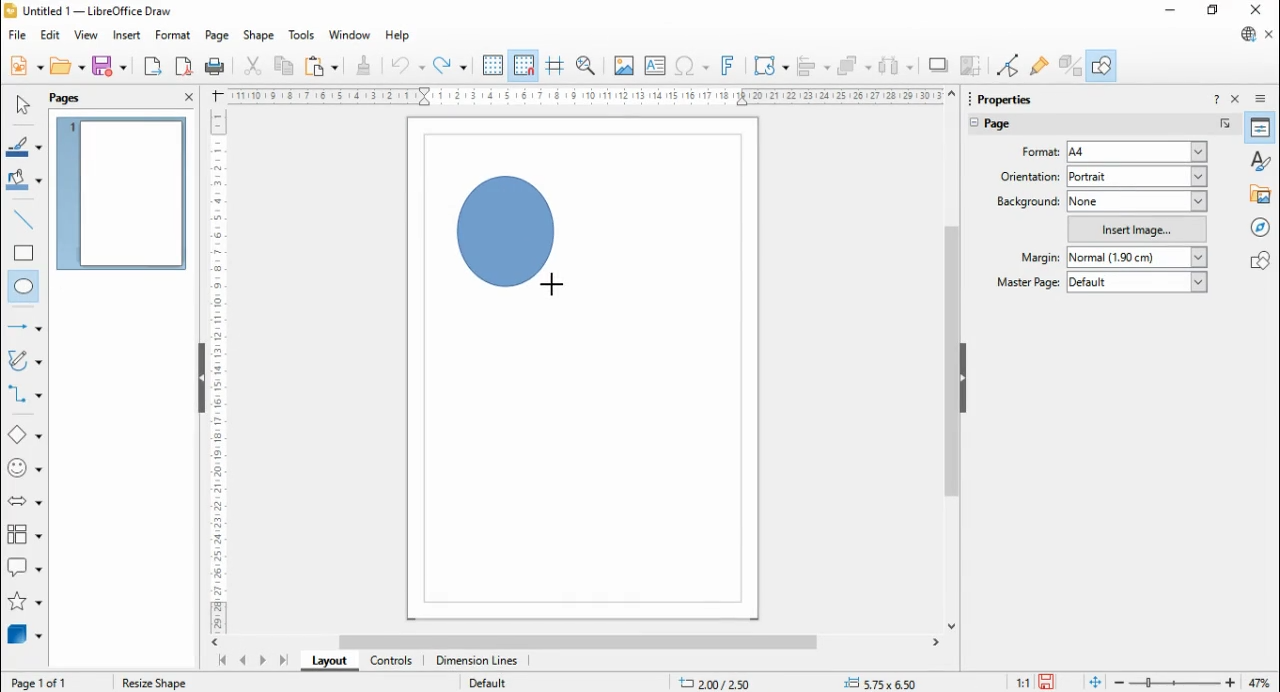 The height and width of the screenshot is (692, 1280). I want to click on previous page, so click(244, 661).